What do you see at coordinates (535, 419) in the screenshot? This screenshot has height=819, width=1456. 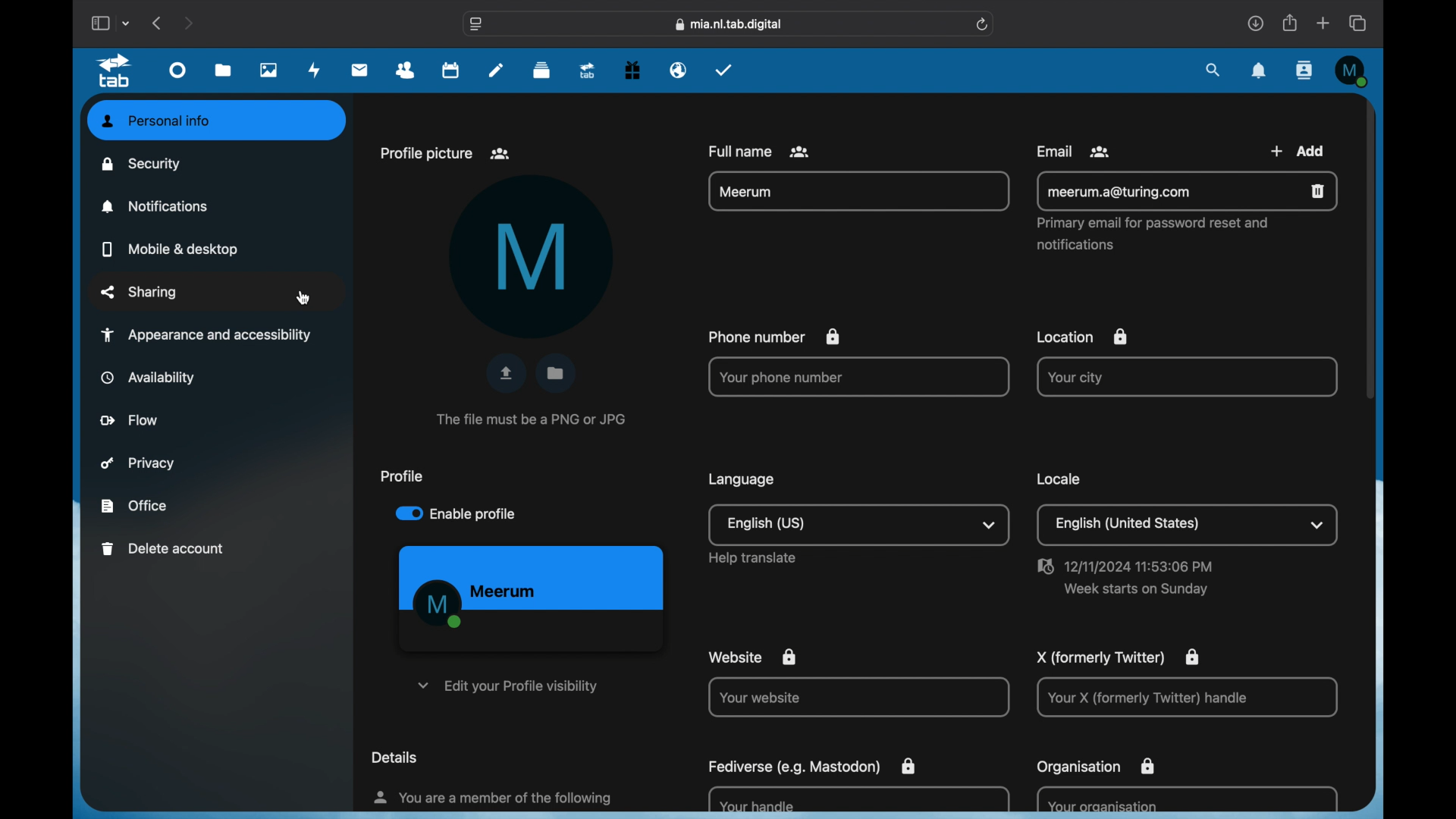 I see `info` at bounding box center [535, 419].